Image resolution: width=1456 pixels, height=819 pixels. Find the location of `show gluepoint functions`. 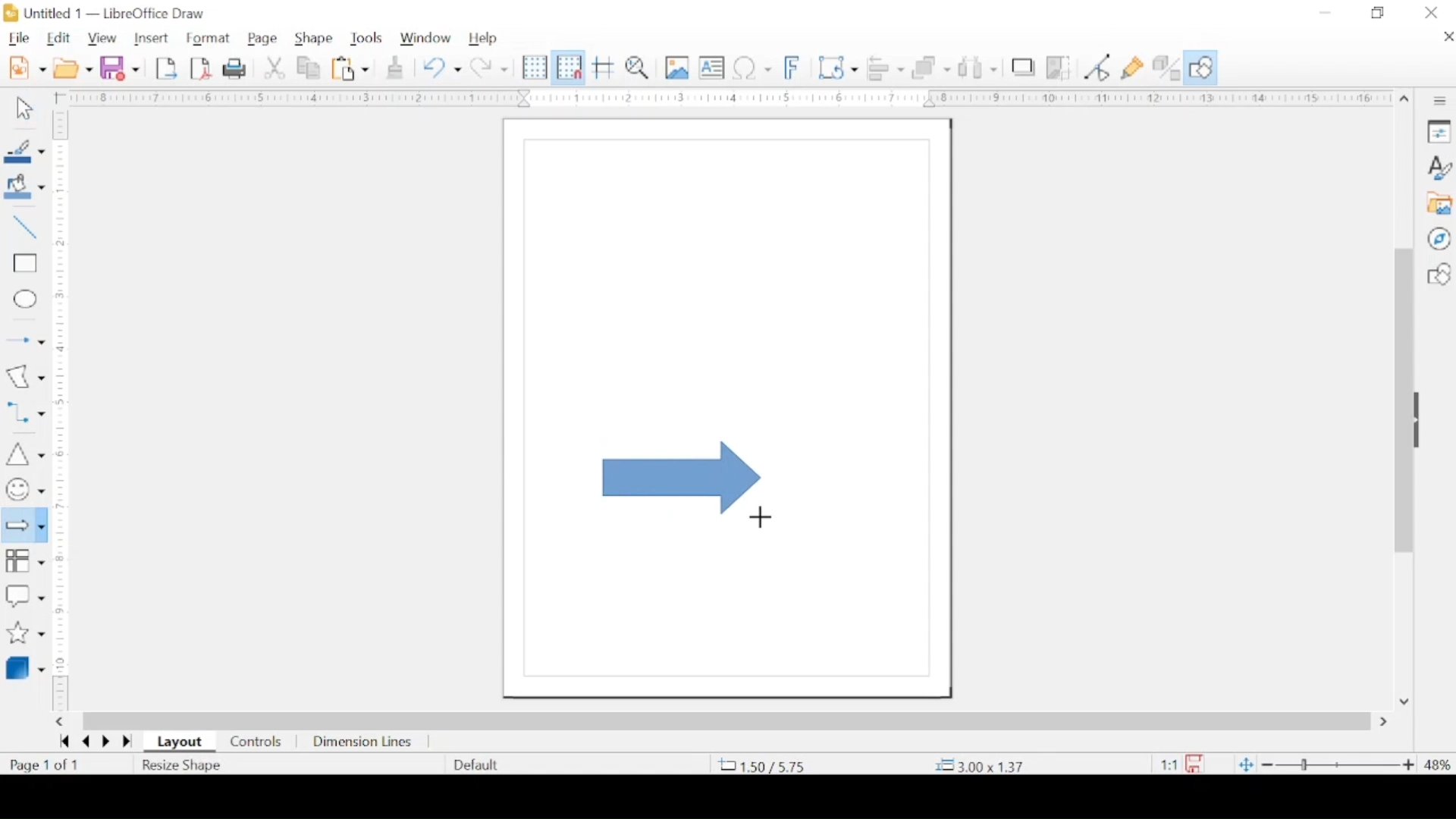

show gluepoint functions is located at coordinates (1133, 67).